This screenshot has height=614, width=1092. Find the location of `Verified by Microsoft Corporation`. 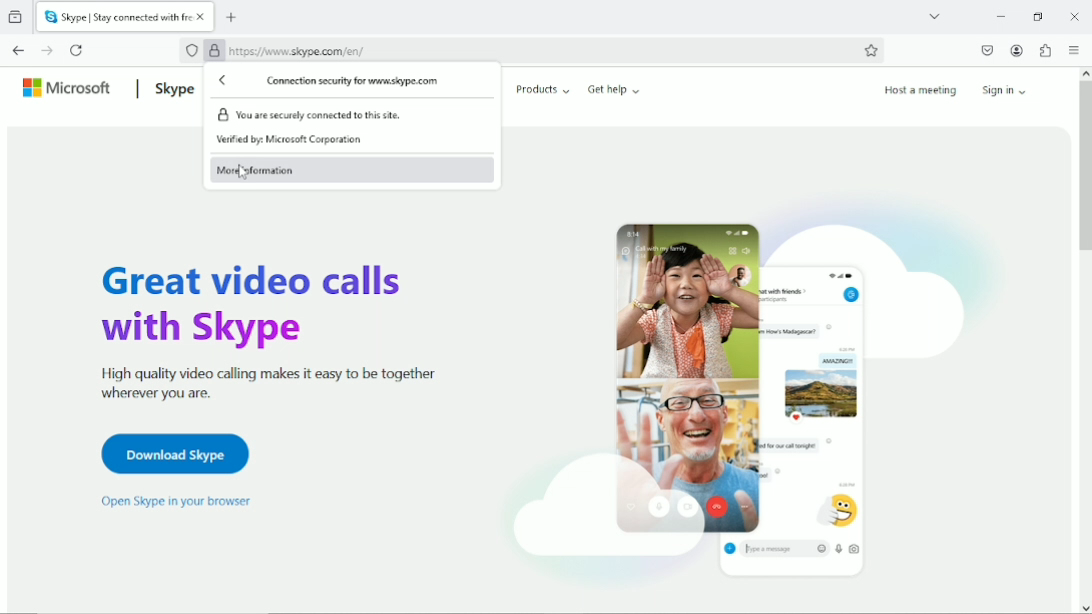

Verified by Microsoft Corporation is located at coordinates (214, 52).